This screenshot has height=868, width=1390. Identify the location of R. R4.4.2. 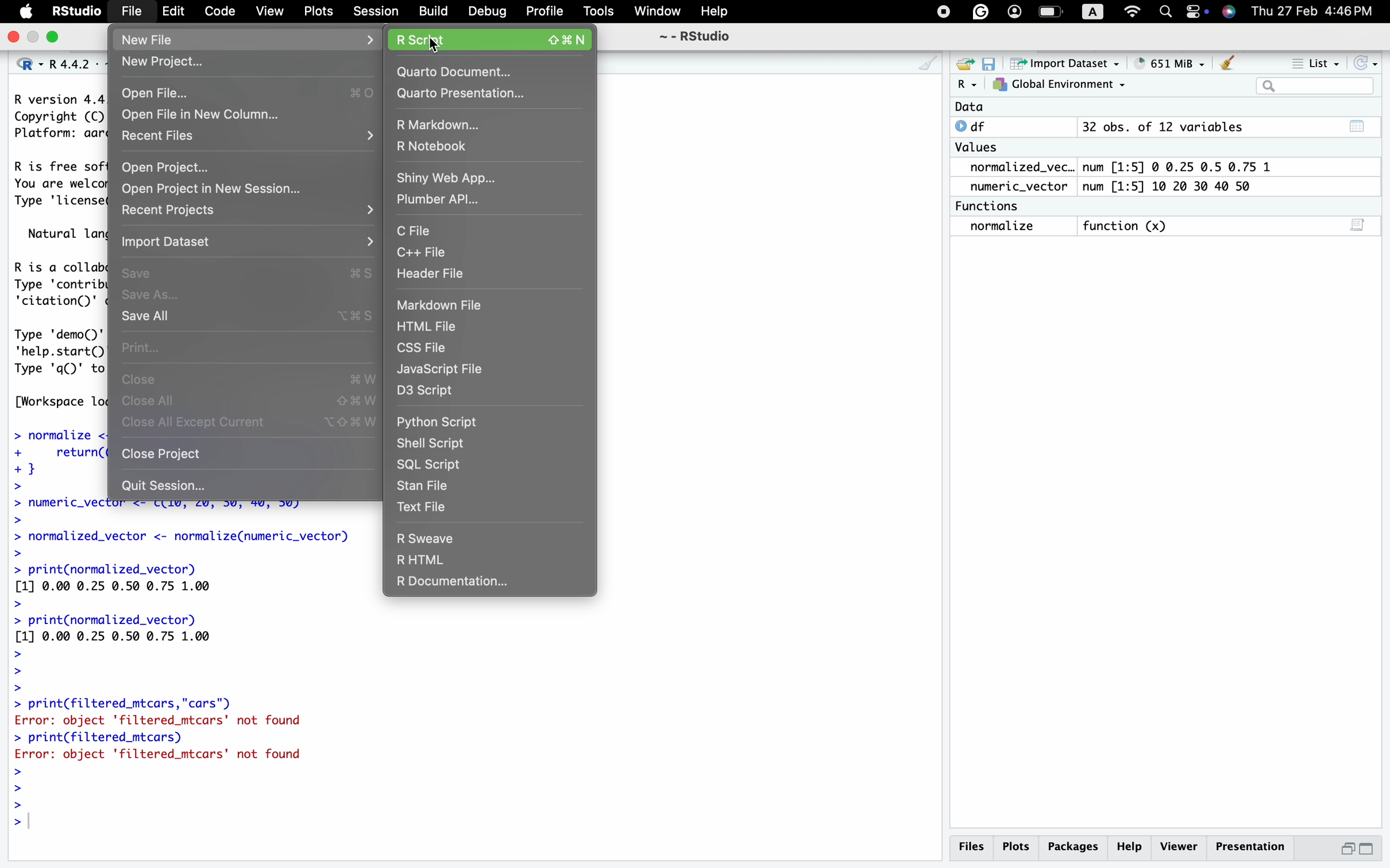
(48, 64).